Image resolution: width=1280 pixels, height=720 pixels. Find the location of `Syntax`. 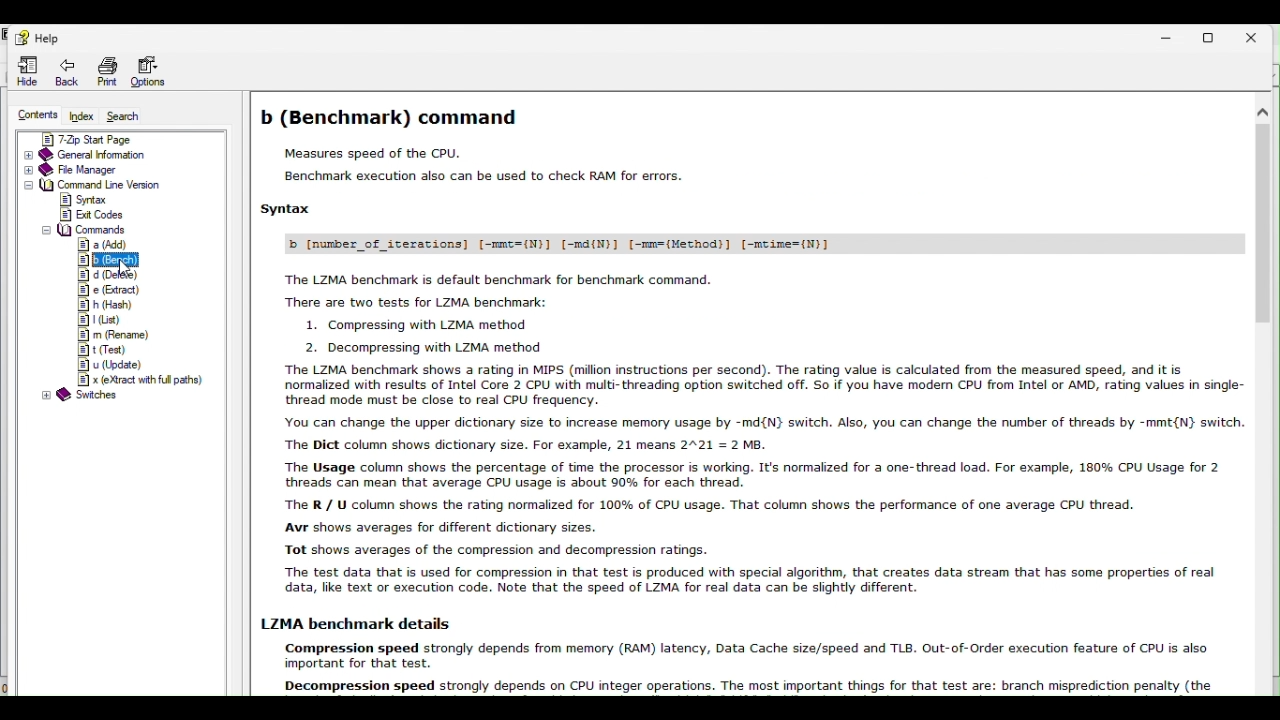

Syntax is located at coordinates (289, 208).